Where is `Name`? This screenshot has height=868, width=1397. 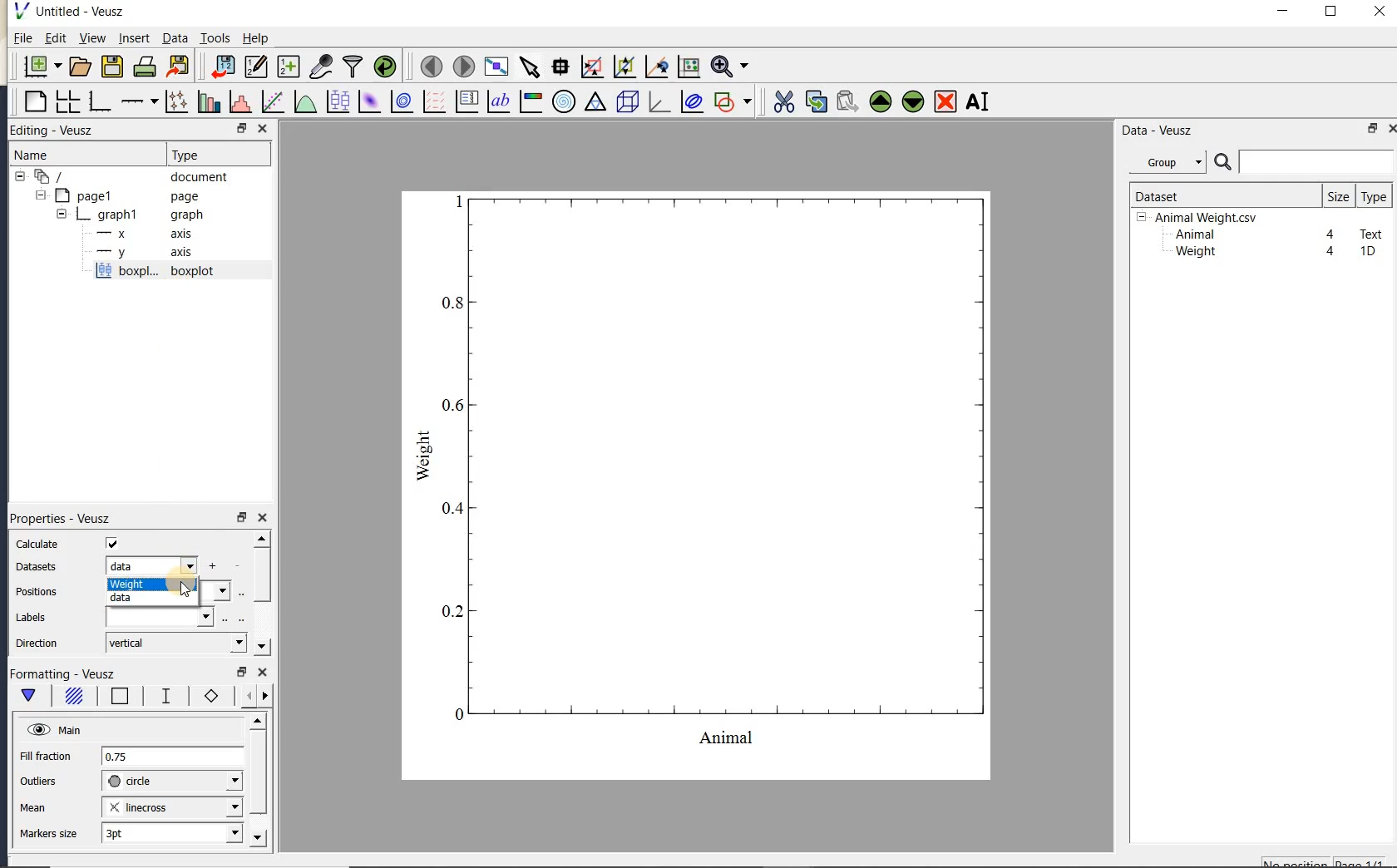
Name is located at coordinates (49, 155).